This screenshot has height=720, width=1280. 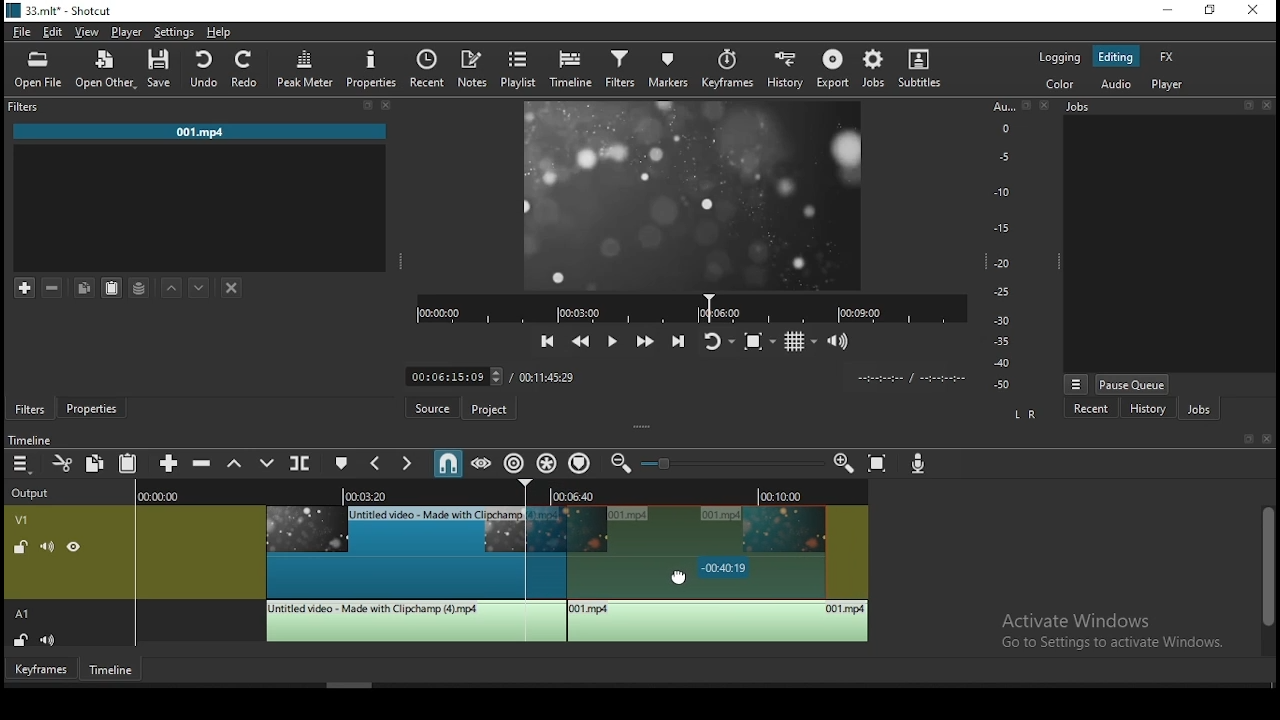 I want to click on undo, so click(x=207, y=69).